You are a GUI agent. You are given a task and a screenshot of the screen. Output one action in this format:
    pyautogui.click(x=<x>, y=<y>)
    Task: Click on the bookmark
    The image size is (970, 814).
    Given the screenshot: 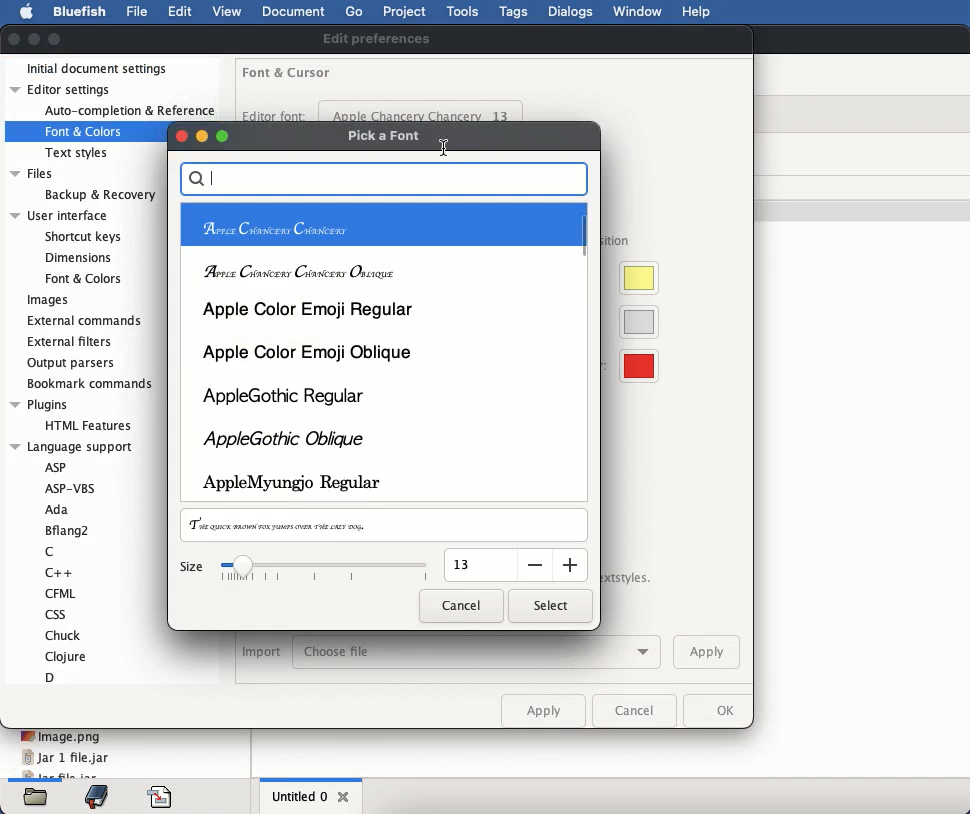 What is the action you would take?
    pyautogui.click(x=96, y=796)
    